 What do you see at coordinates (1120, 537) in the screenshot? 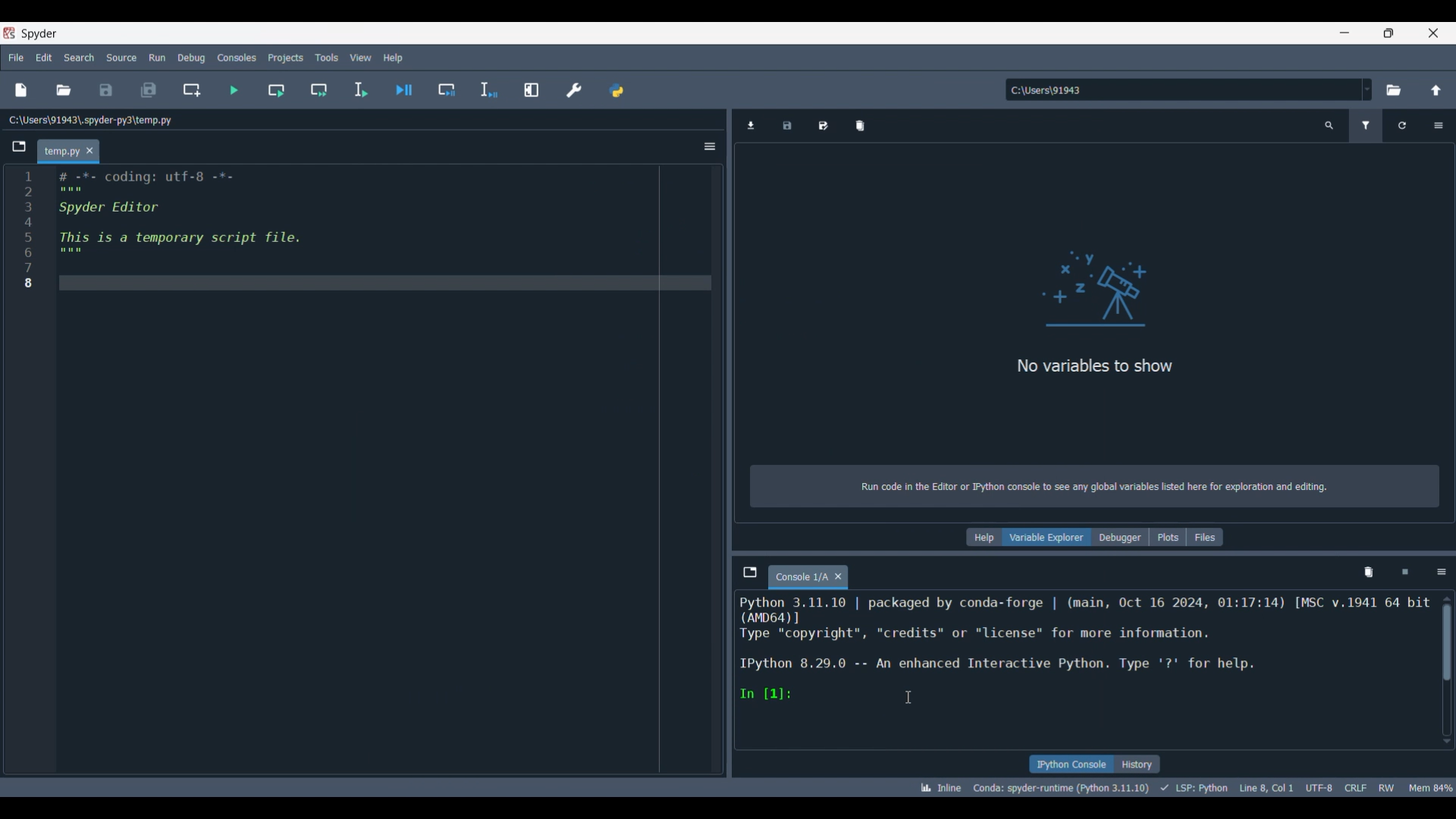
I see `Debugger` at bounding box center [1120, 537].